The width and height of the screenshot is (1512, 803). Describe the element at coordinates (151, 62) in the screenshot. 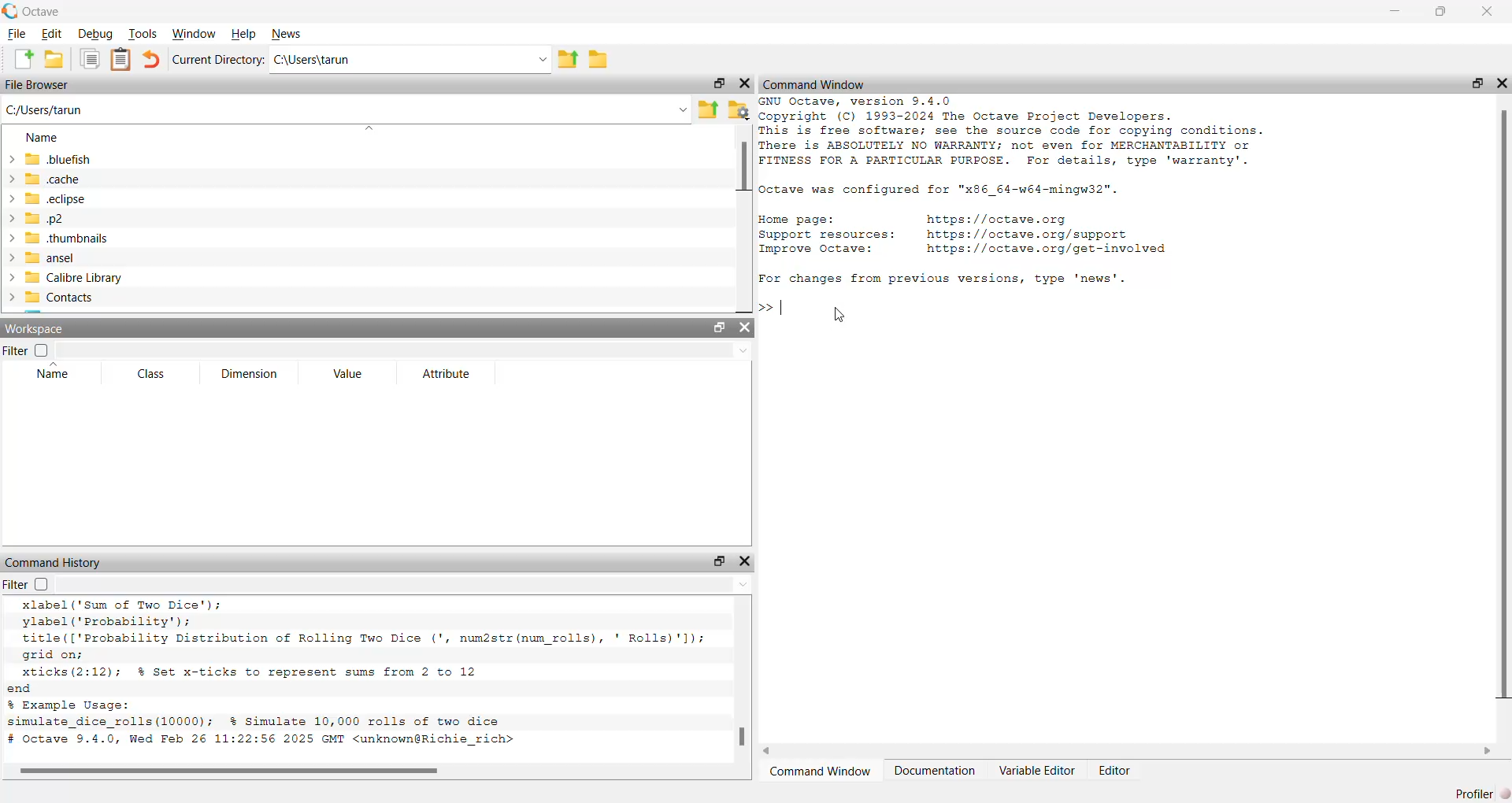

I see `back` at that location.